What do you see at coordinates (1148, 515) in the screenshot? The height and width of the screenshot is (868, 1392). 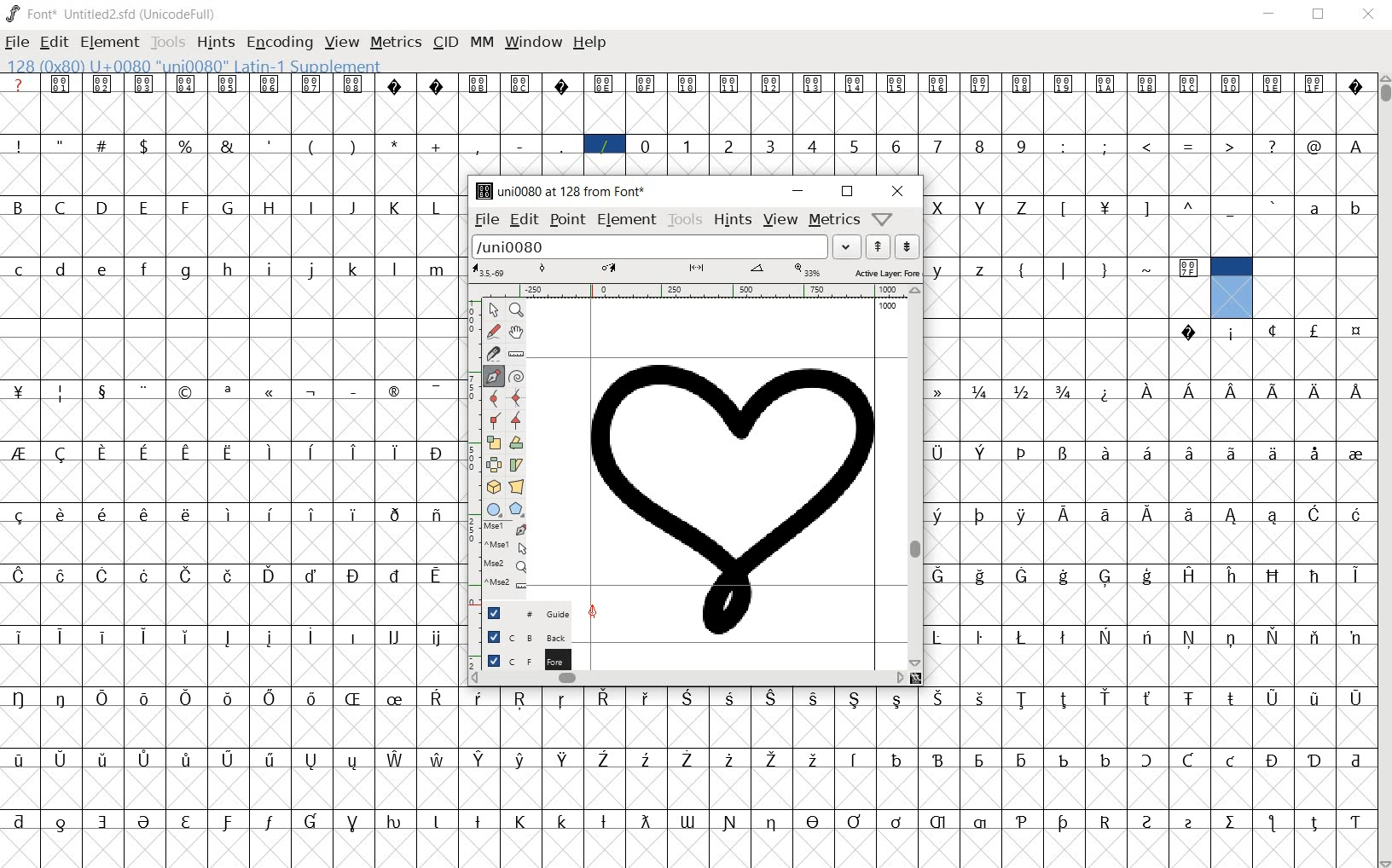 I see `glyph` at bounding box center [1148, 515].